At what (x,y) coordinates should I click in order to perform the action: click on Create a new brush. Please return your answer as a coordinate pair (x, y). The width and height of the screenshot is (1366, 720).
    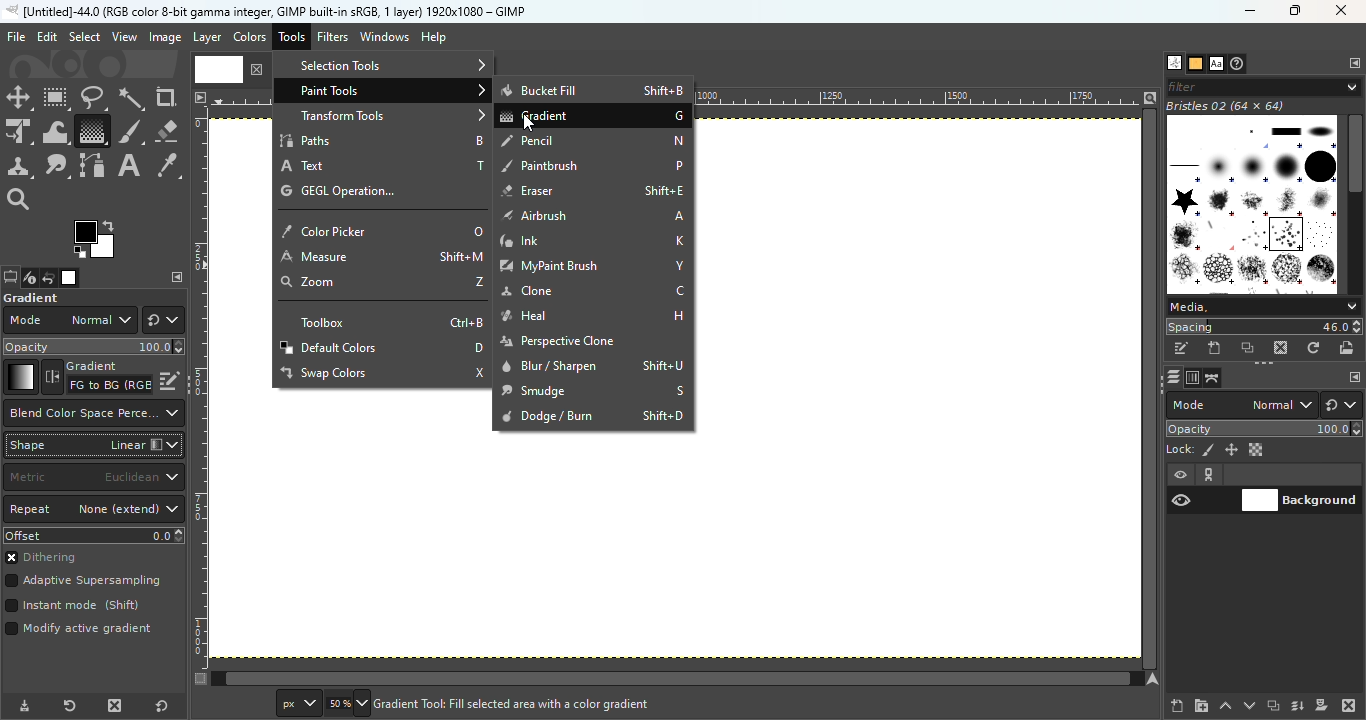
    Looking at the image, I should click on (1216, 348).